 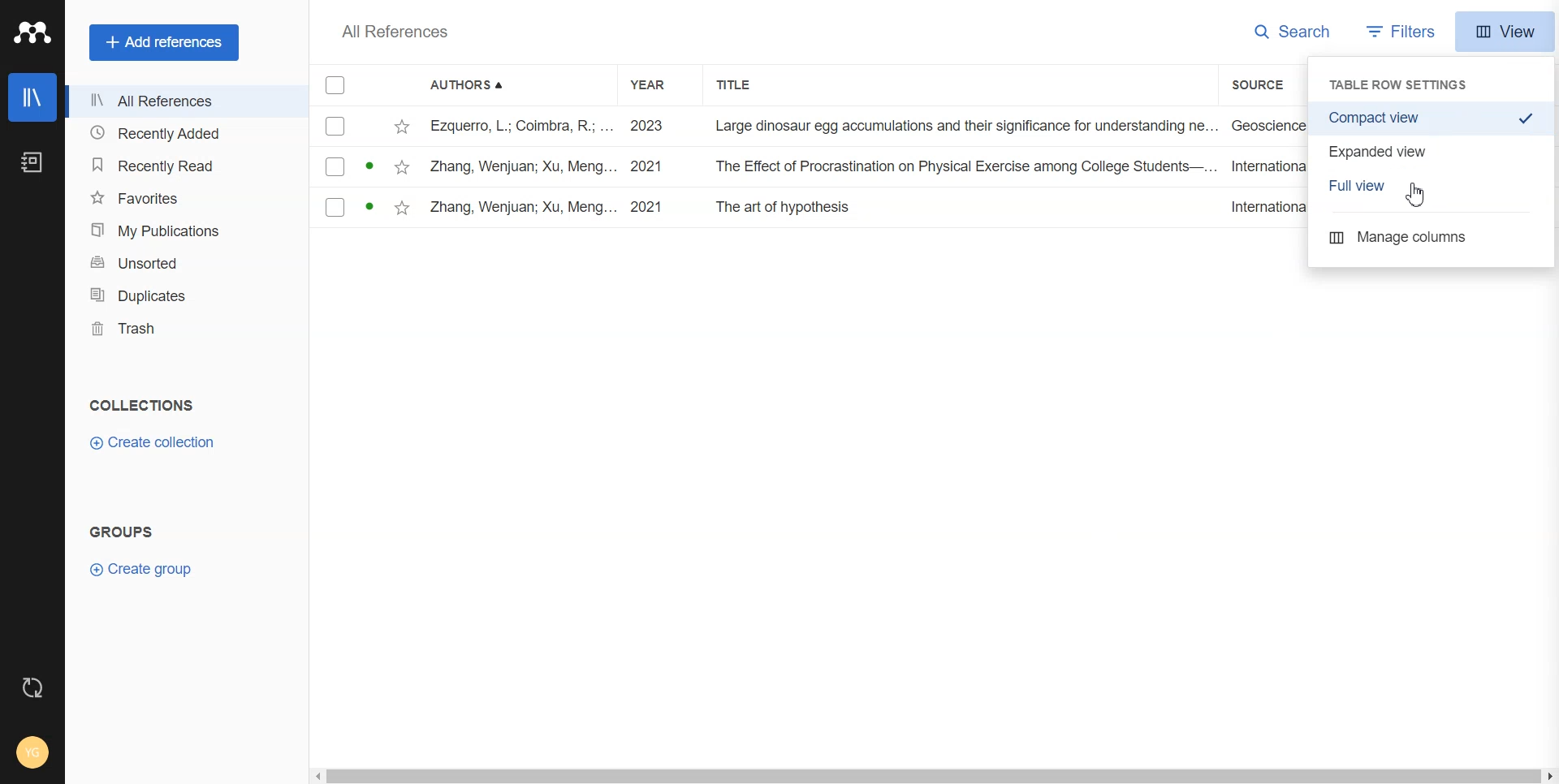 I want to click on Title, so click(x=748, y=85).